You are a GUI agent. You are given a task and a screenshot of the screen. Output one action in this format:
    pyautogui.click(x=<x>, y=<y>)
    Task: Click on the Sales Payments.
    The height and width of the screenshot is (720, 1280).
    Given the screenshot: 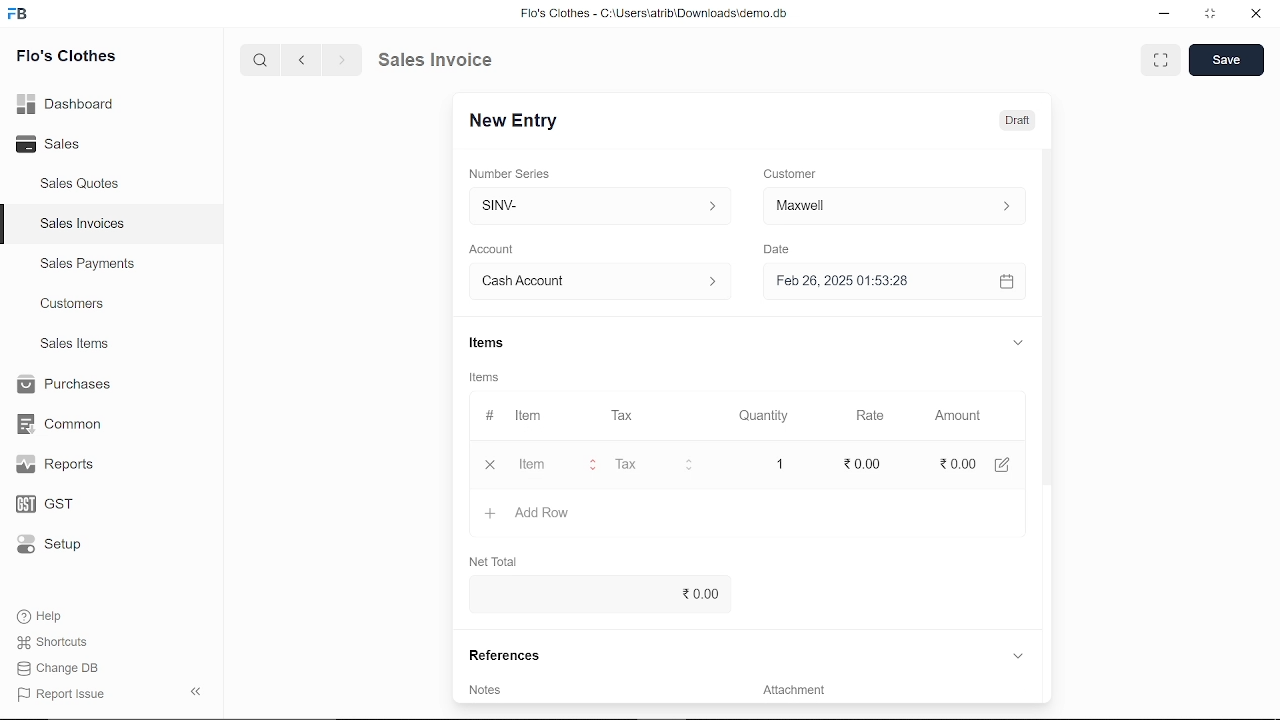 What is the action you would take?
    pyautogui.click(x=86, y=264)
    